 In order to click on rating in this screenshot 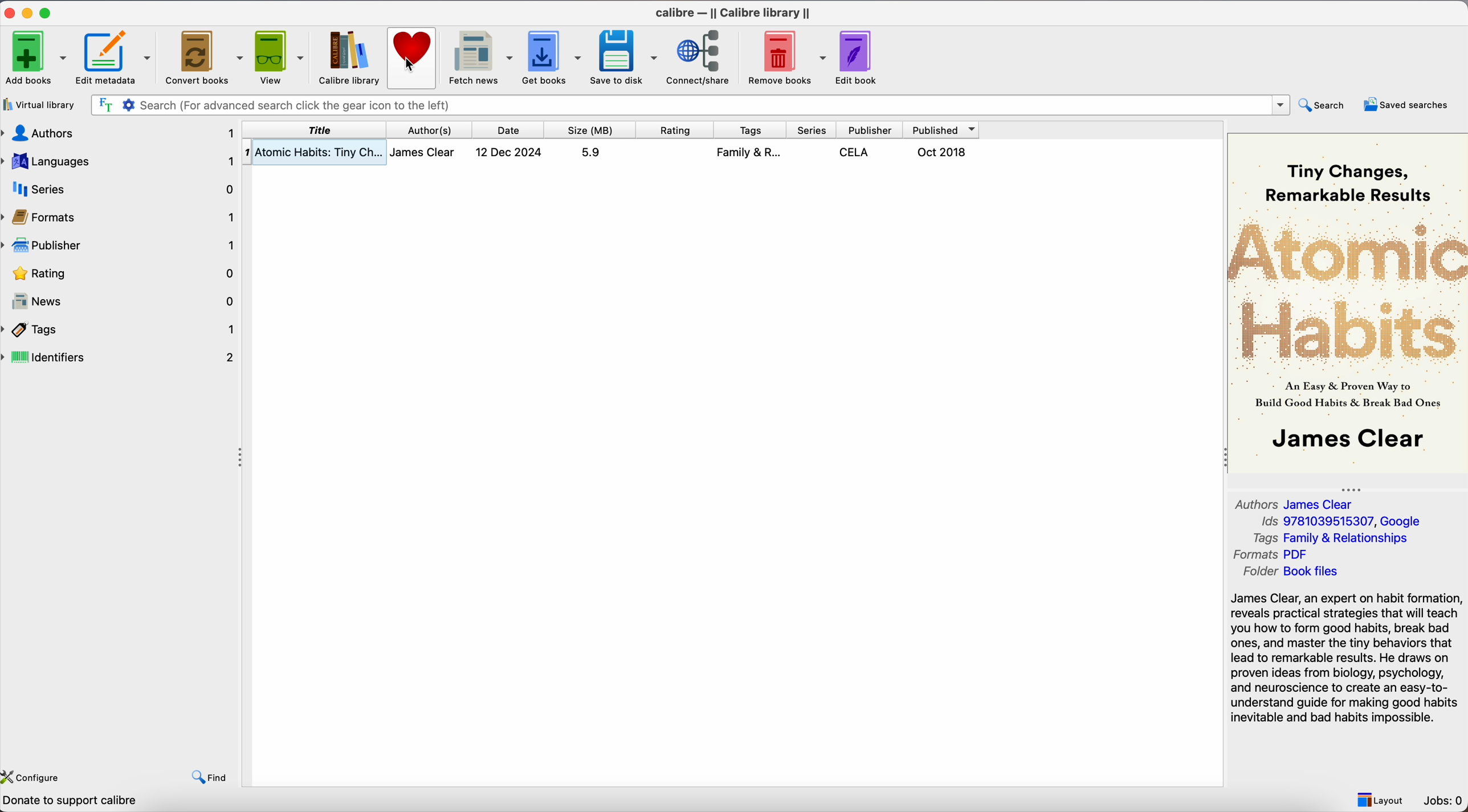, I will do `click(674, 129)`.